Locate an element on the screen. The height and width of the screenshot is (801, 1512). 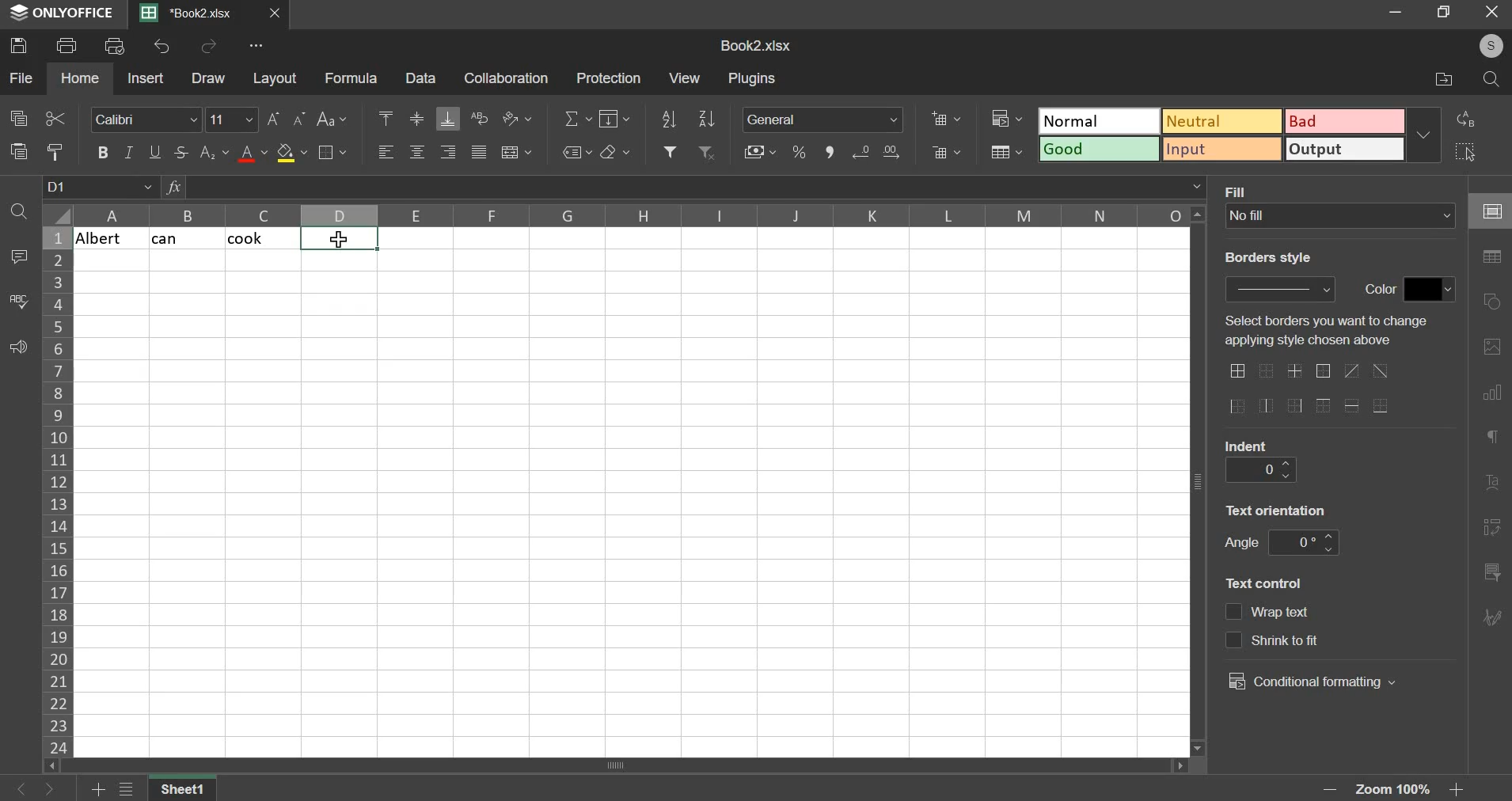
copy style is located at coordinates (56, 151).